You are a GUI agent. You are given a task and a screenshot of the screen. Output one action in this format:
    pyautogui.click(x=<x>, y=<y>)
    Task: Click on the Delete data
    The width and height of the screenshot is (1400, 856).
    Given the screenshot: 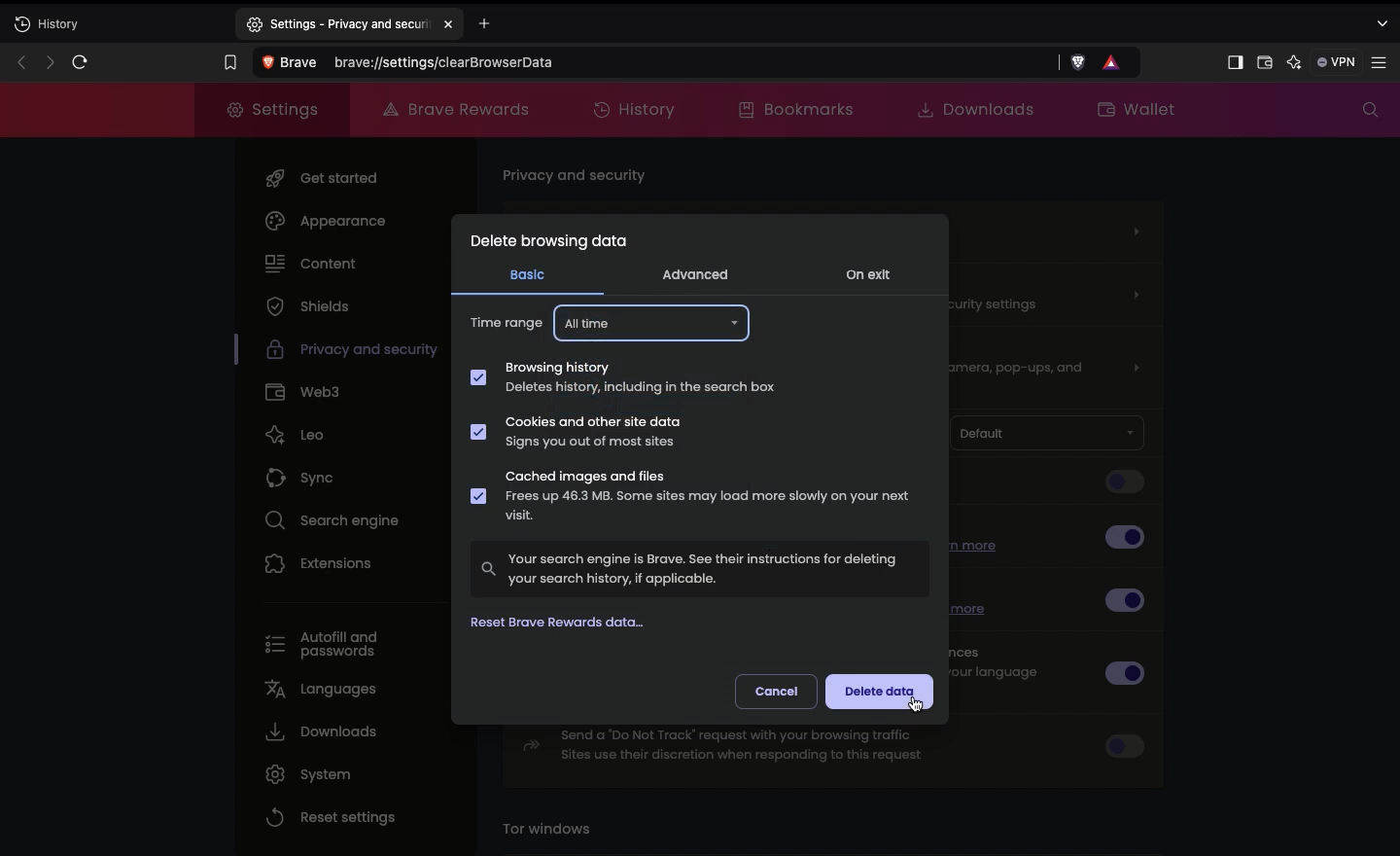 What is the action you would take?
    pyautogui.click(x=880, y=693)
    